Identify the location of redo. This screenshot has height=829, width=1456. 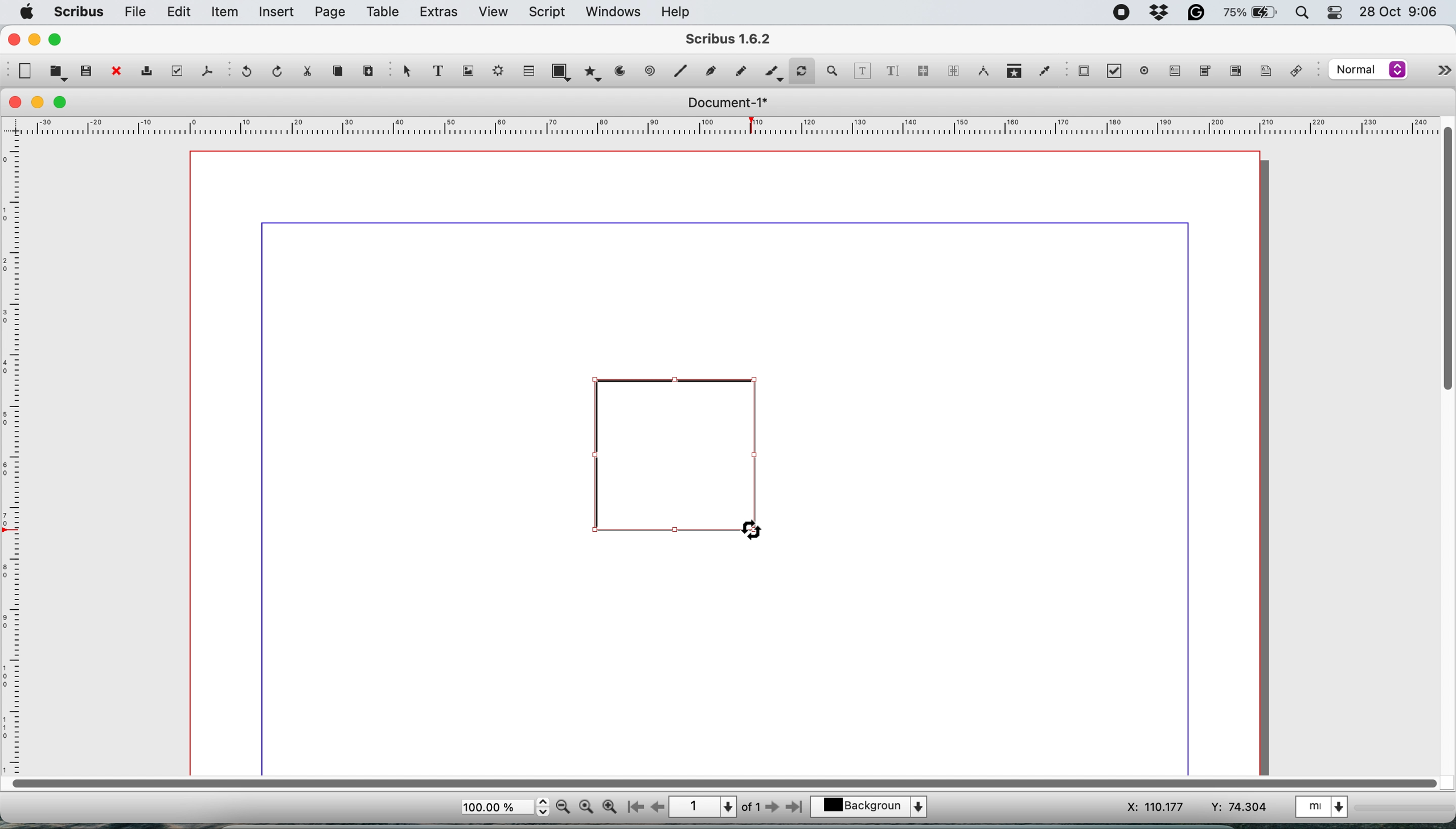
(279, 71).